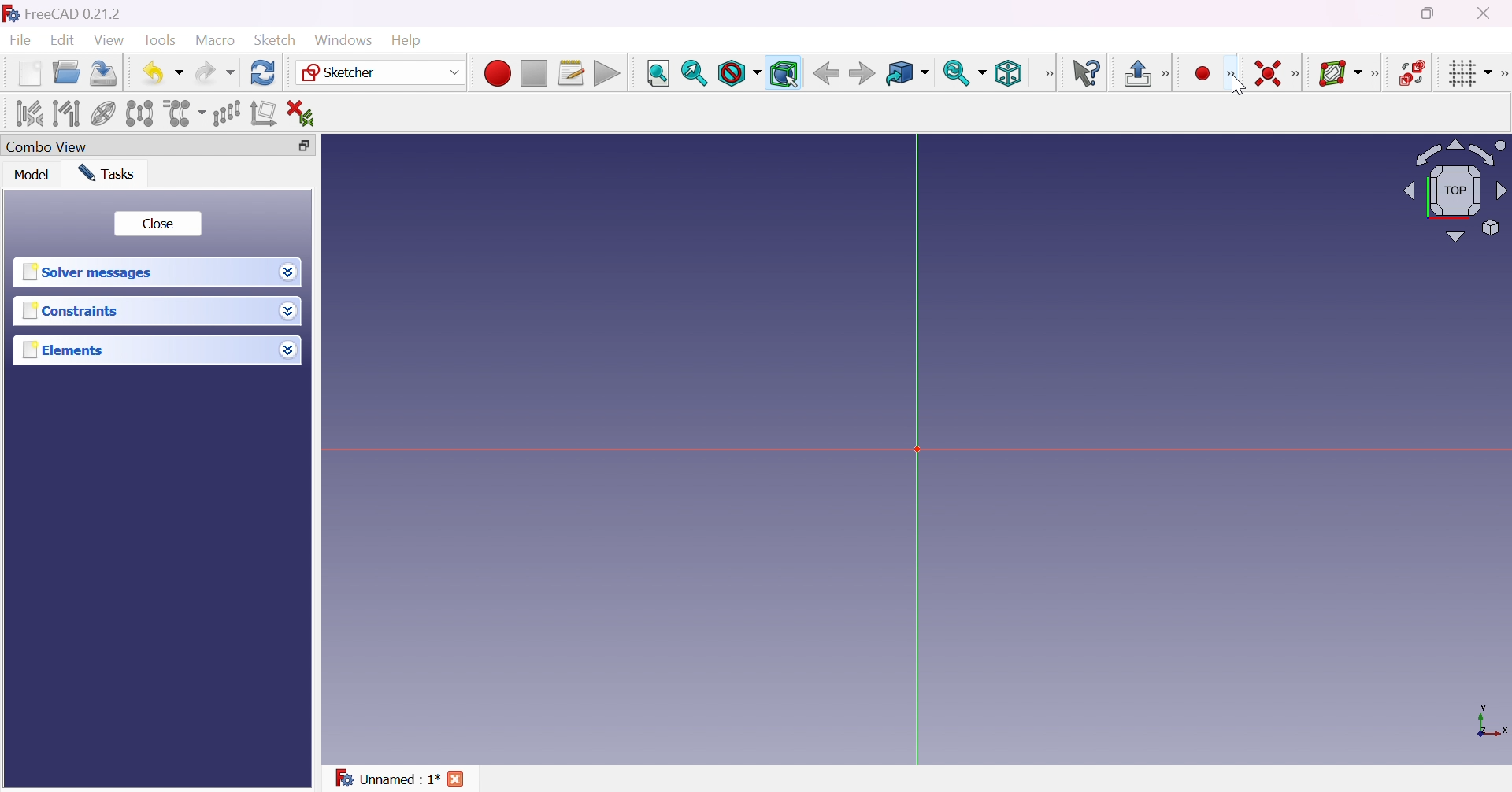 This screenshot has height=792, width=1512. Describe the element at coordinates (457, 781) in the screenshot. I see `Close` at that location.